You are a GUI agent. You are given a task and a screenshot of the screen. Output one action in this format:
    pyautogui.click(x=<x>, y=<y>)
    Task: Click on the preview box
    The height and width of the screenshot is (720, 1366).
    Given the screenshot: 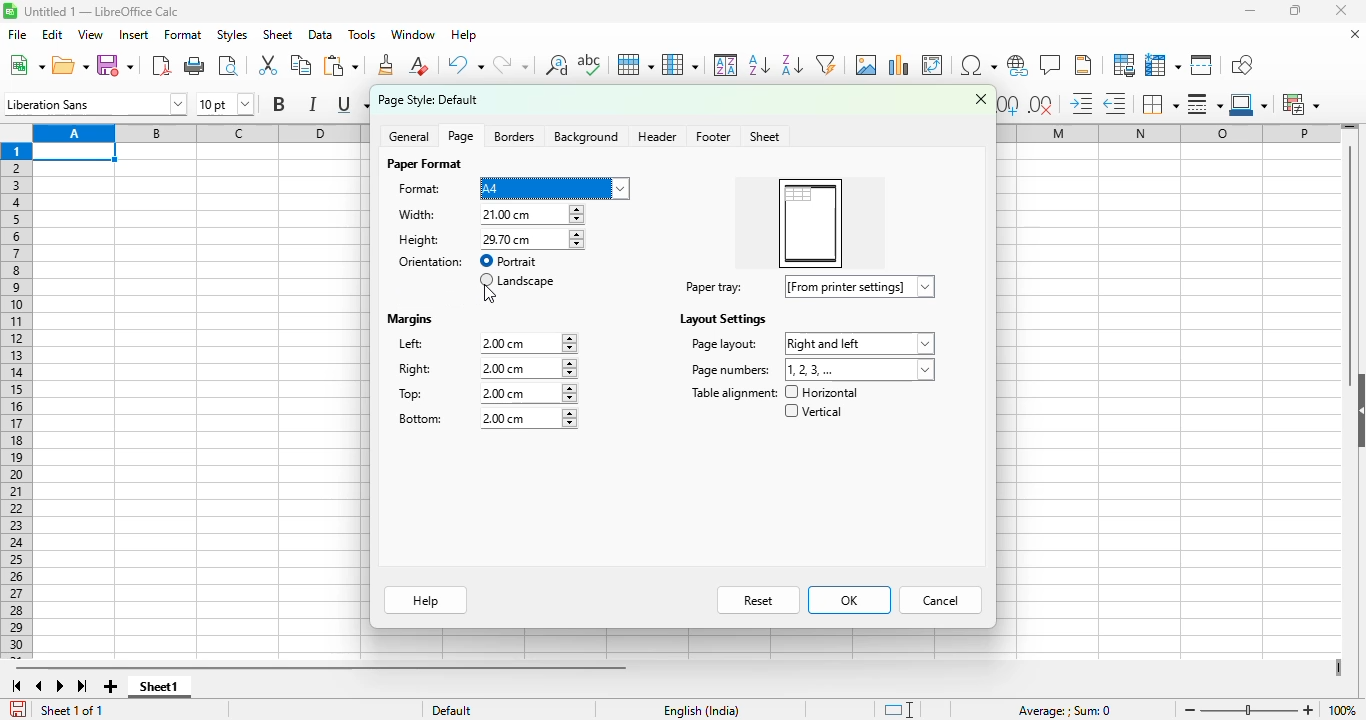 What is the action you would take?
    pyautogui.click(x=810, y=224)
    